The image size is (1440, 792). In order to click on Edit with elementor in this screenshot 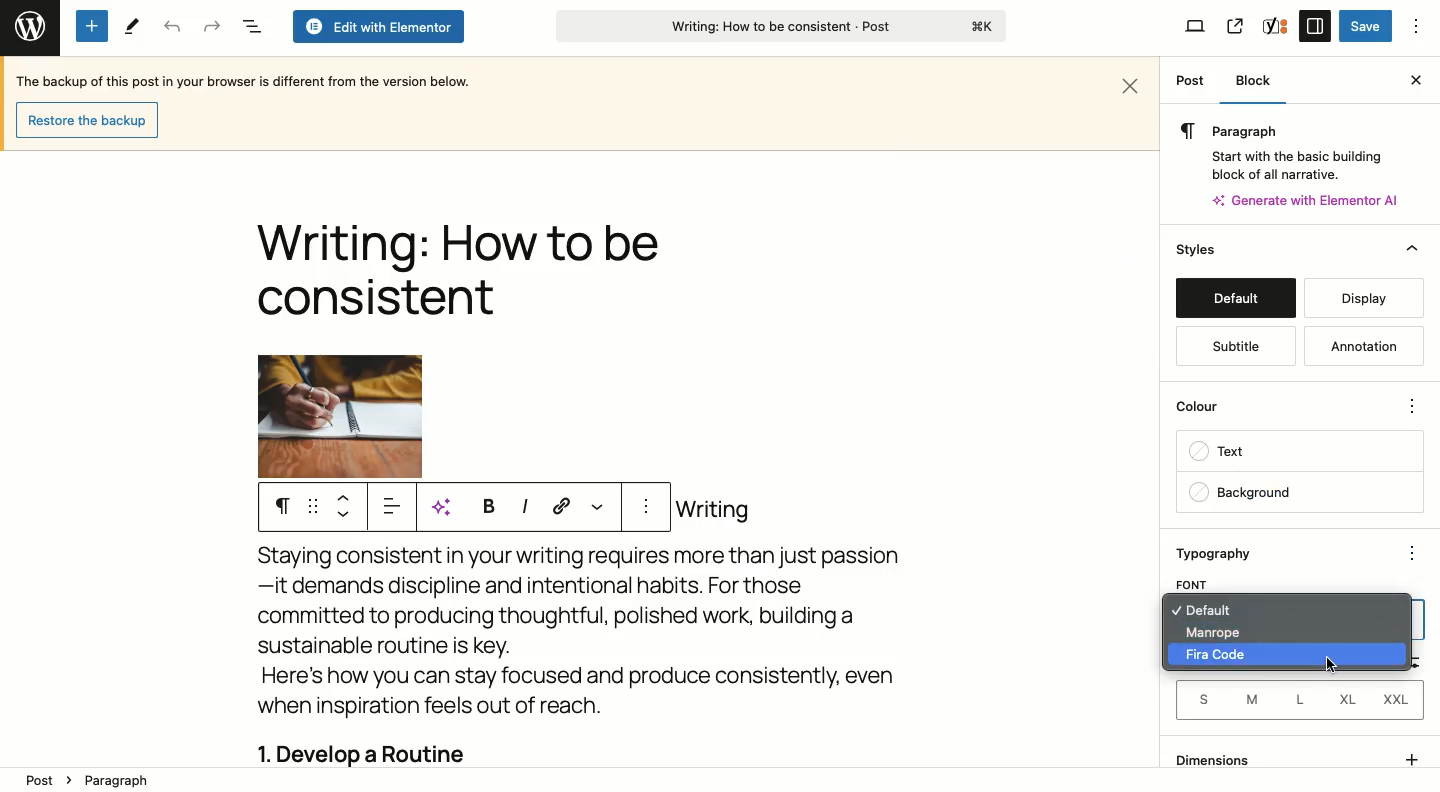, I will do `click(377, 27)`.